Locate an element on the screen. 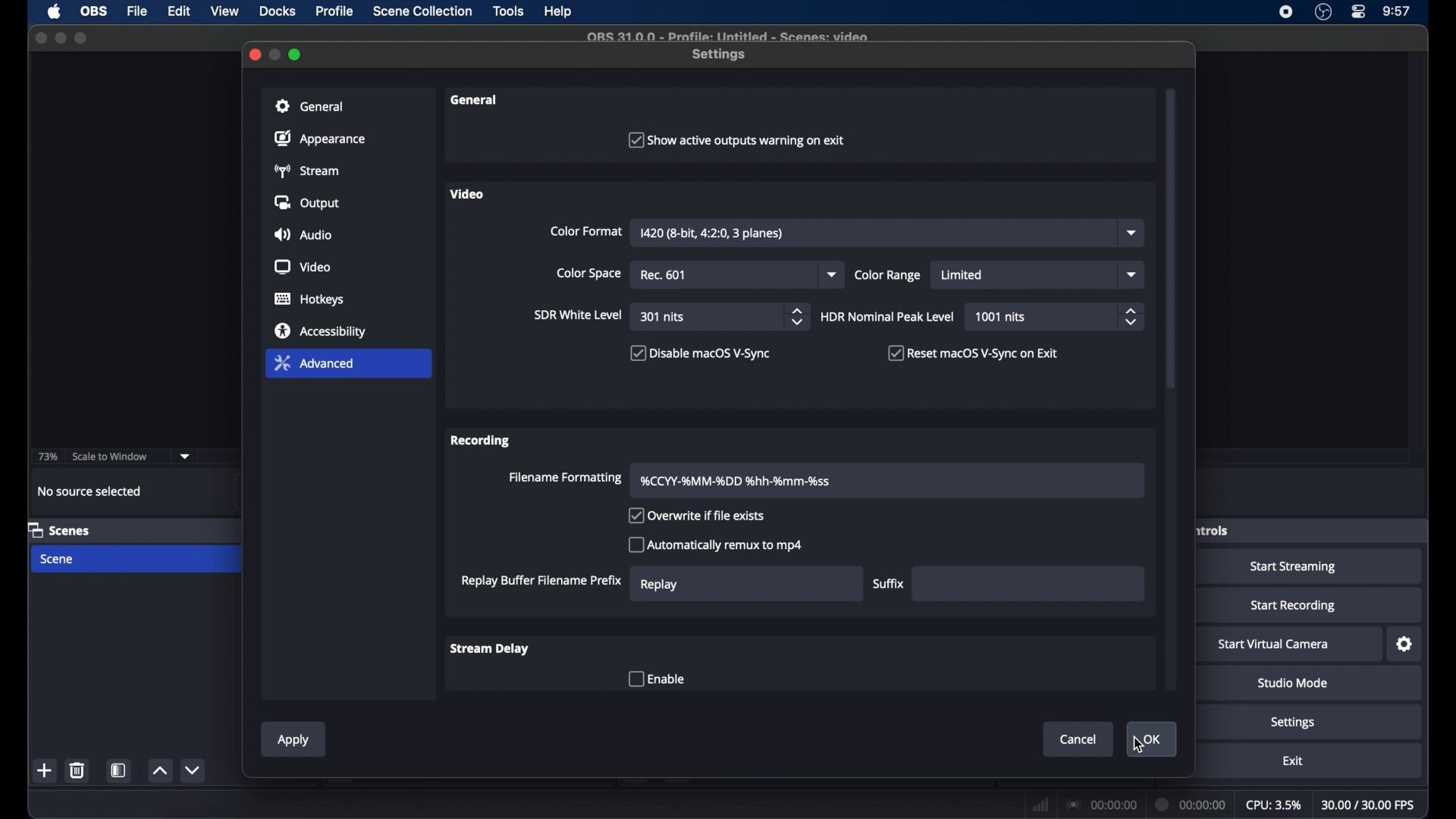 The width and height of the screenshot is (1456, 819). dropdown is located at coordinates (185, 457).